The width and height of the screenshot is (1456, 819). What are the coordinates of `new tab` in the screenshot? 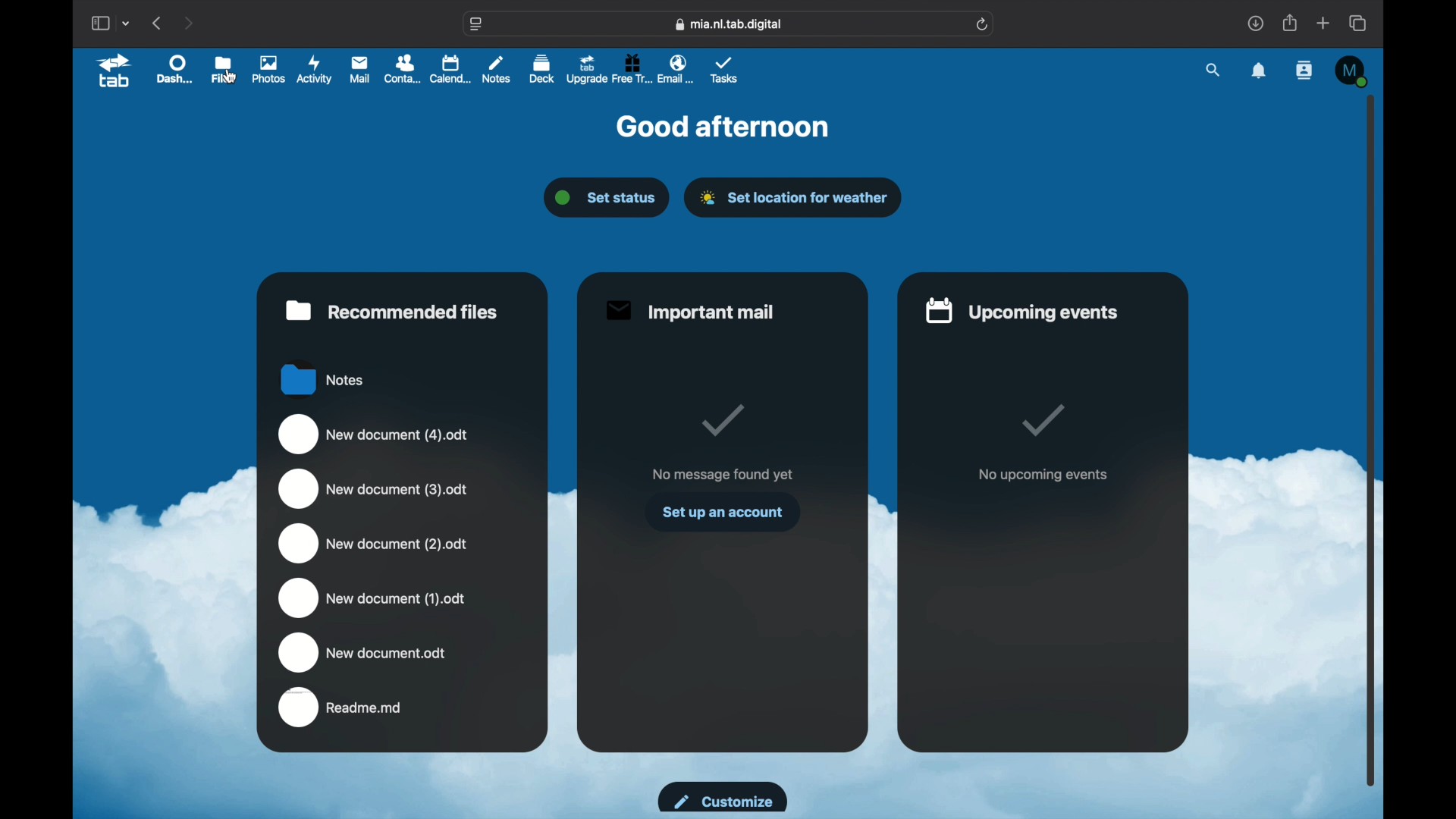 It's located at (1323, 23).